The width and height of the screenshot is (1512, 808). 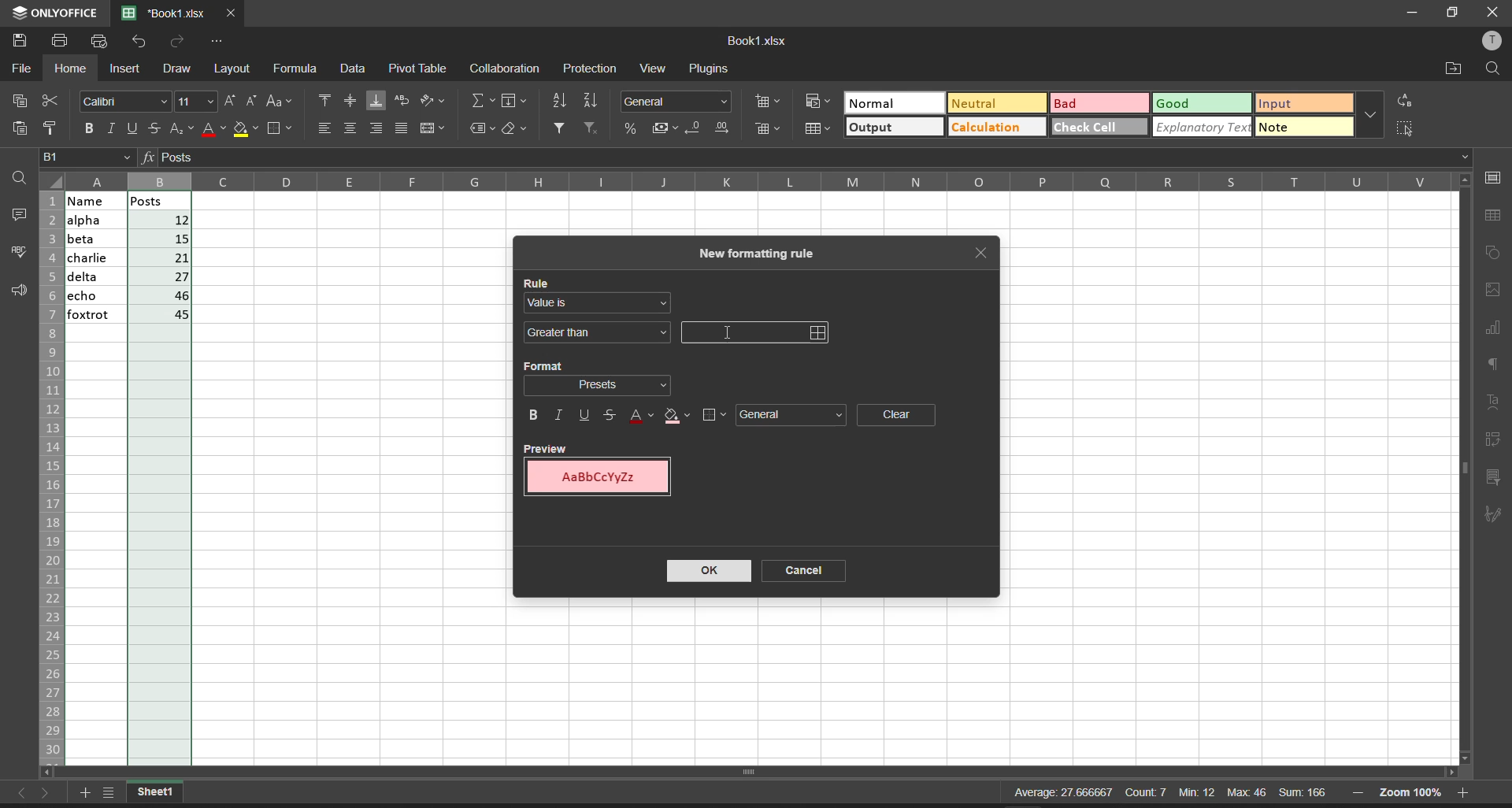 What do you see at coordinates (1277, 103) in the screenshot?
I see `input` at bounding box center [1277, 103].